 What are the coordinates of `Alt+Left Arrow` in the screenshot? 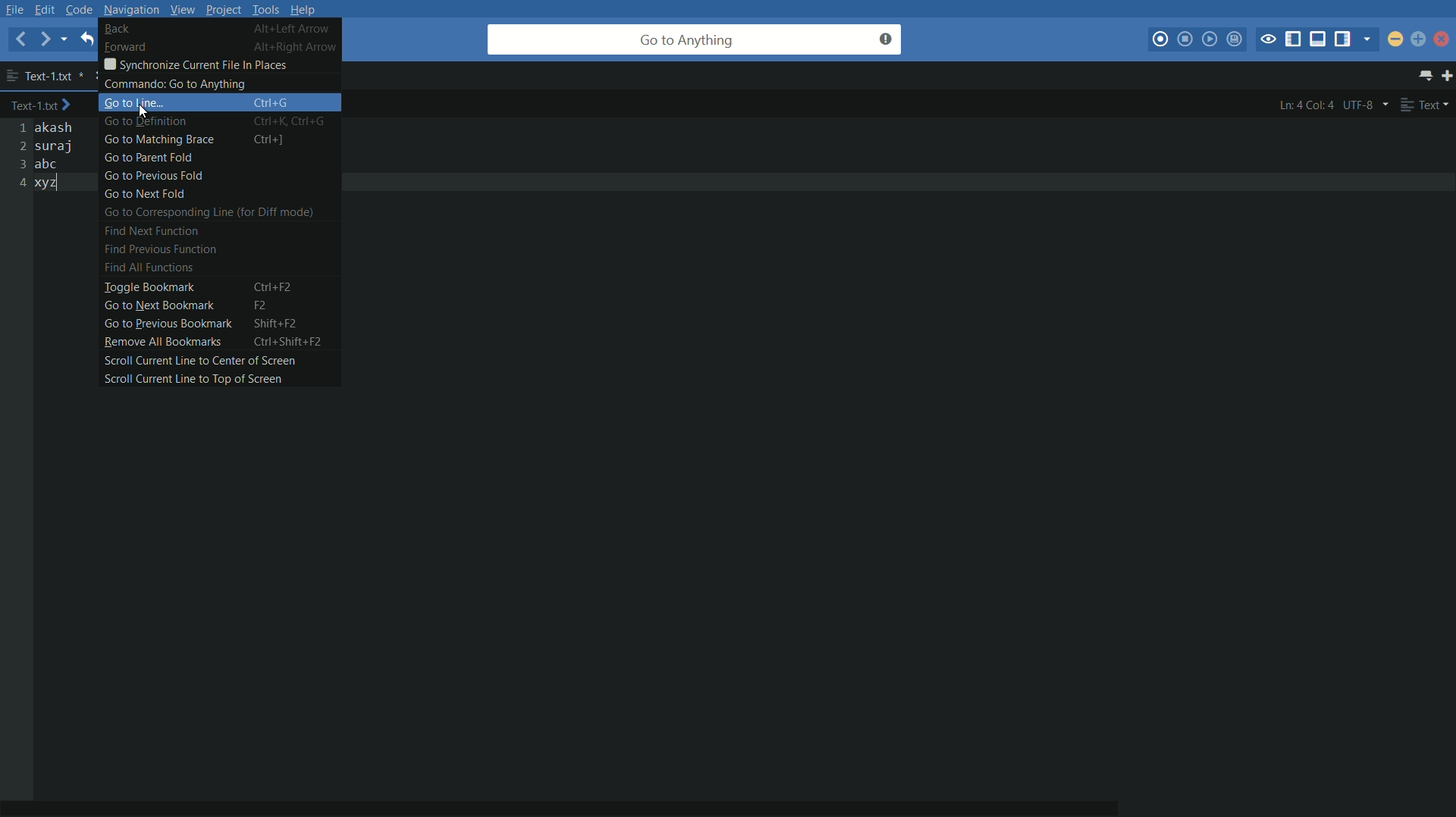 It's located at (297, 30).